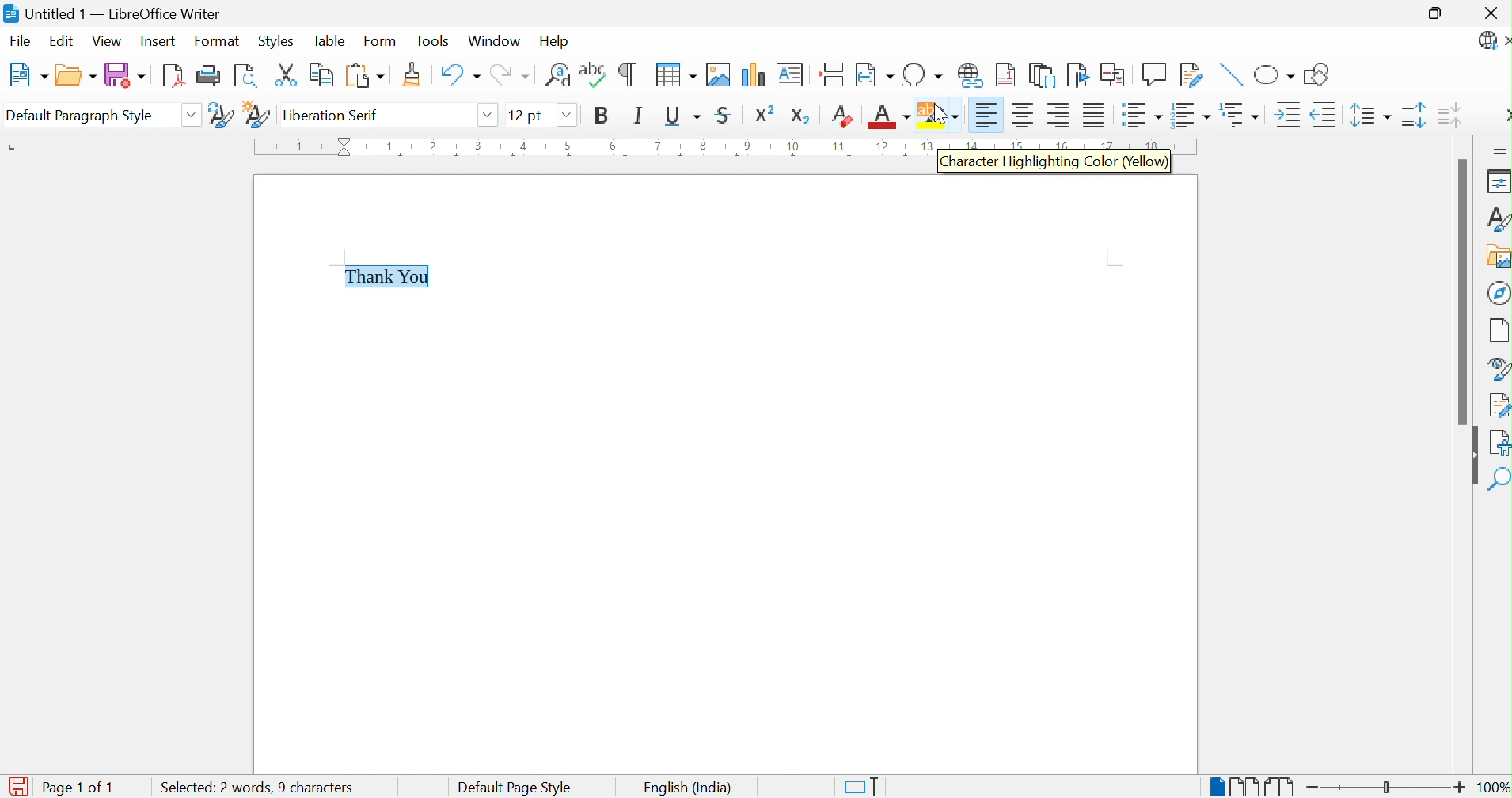 The image size is (1512, 798). What do you see at coordinates (1492, 217) in the screenshot?
I see `Styles` at bounding box center [1492, 217].